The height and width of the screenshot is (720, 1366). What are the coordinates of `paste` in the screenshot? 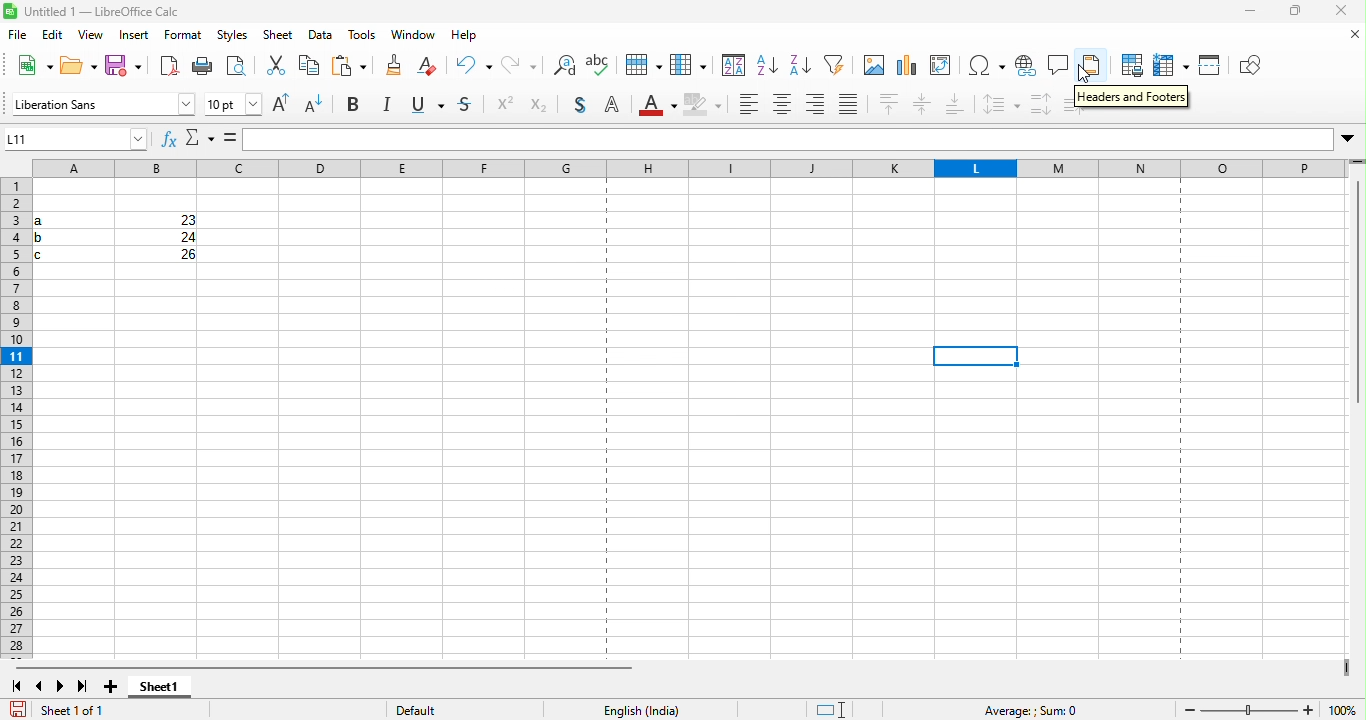 It's located at (307, 68).